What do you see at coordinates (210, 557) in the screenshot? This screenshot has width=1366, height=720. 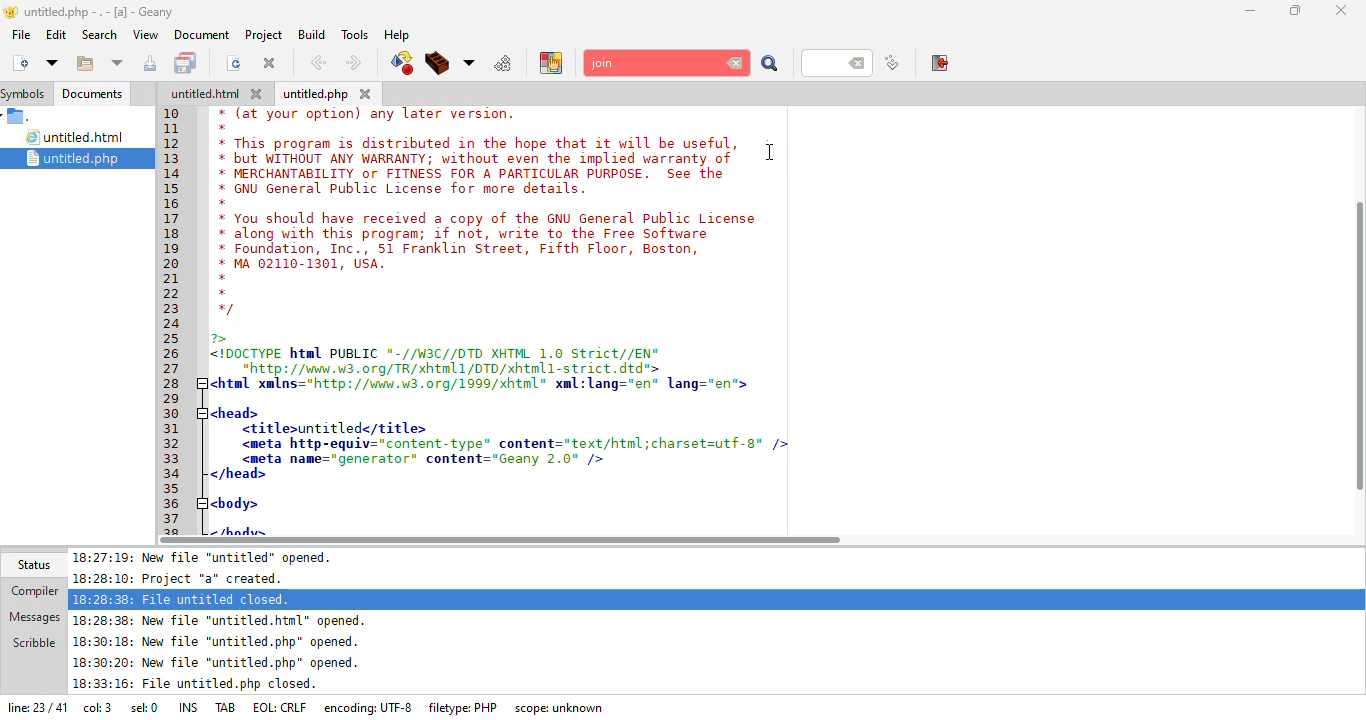 I see `18:27:19: New file "untitled" opened.` at bounding box center [210, 557].